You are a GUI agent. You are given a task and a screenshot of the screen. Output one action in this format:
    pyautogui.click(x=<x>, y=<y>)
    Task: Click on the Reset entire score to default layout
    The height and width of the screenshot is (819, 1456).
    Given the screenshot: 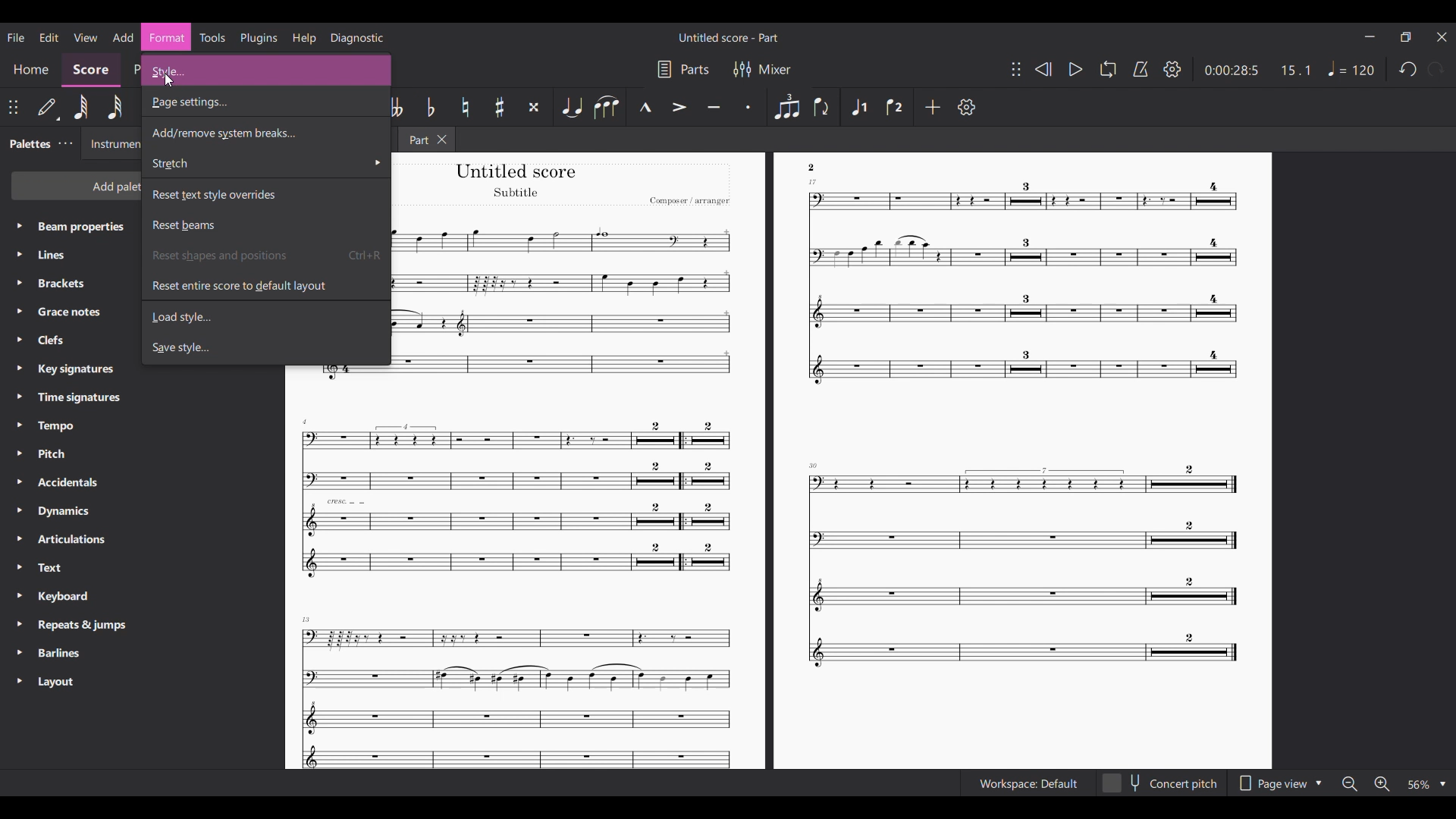 What is the action you would take?
    pyautogui.click(x=265, y=286)
    